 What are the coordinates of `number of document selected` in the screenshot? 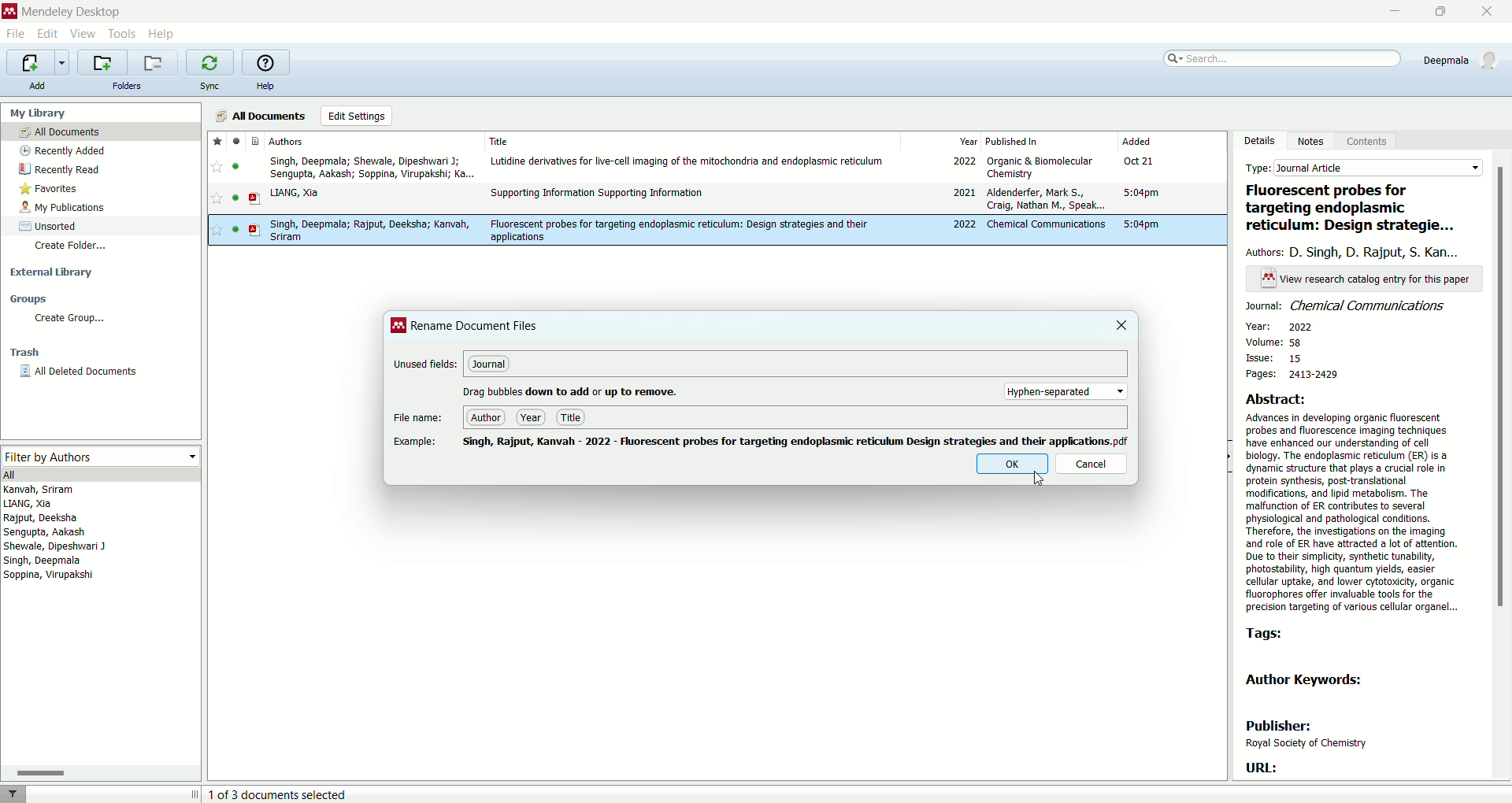 It's located at (280, 794).